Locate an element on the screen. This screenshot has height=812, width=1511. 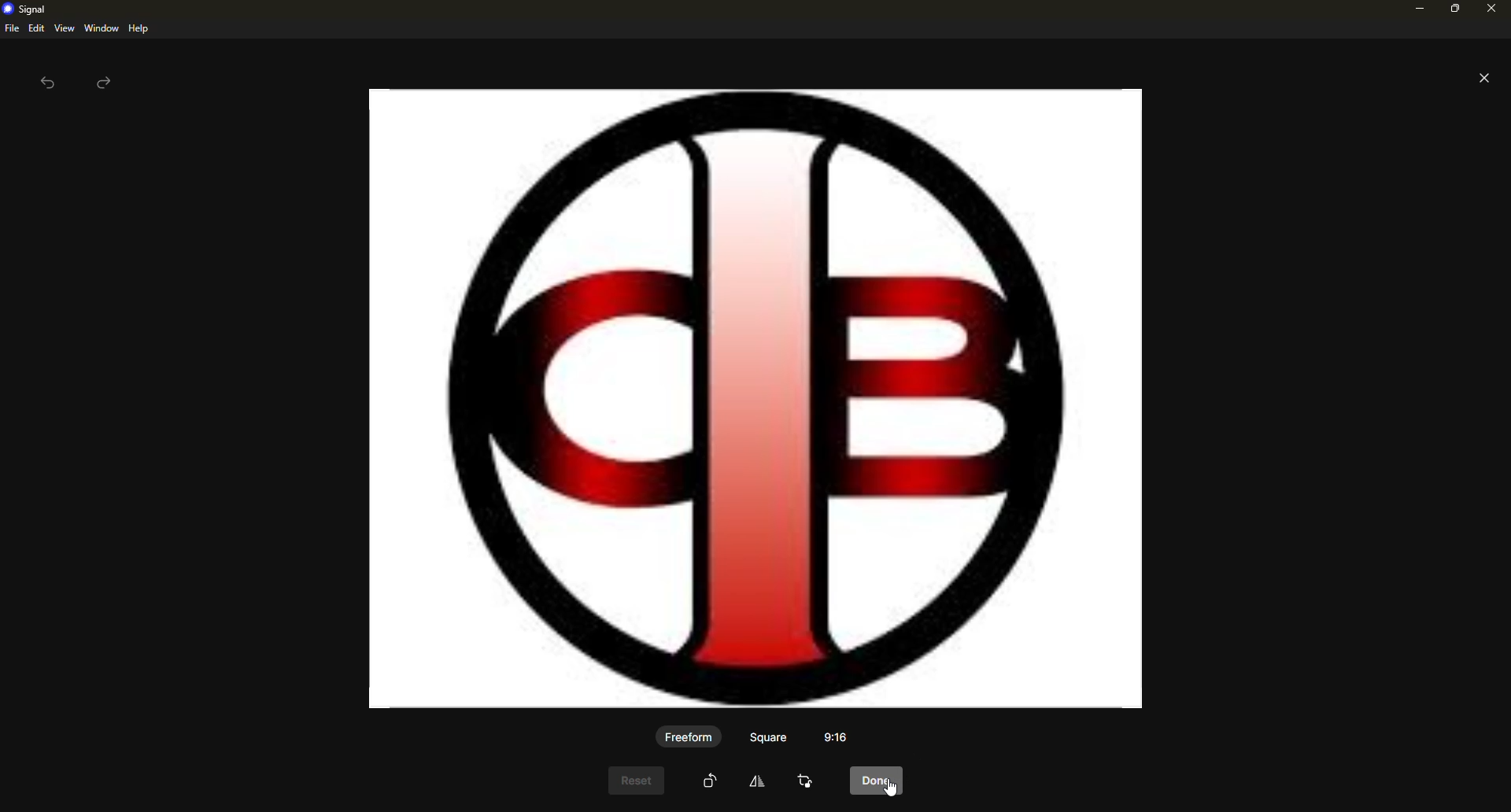
maximize is located at coordinates (1453, 12).